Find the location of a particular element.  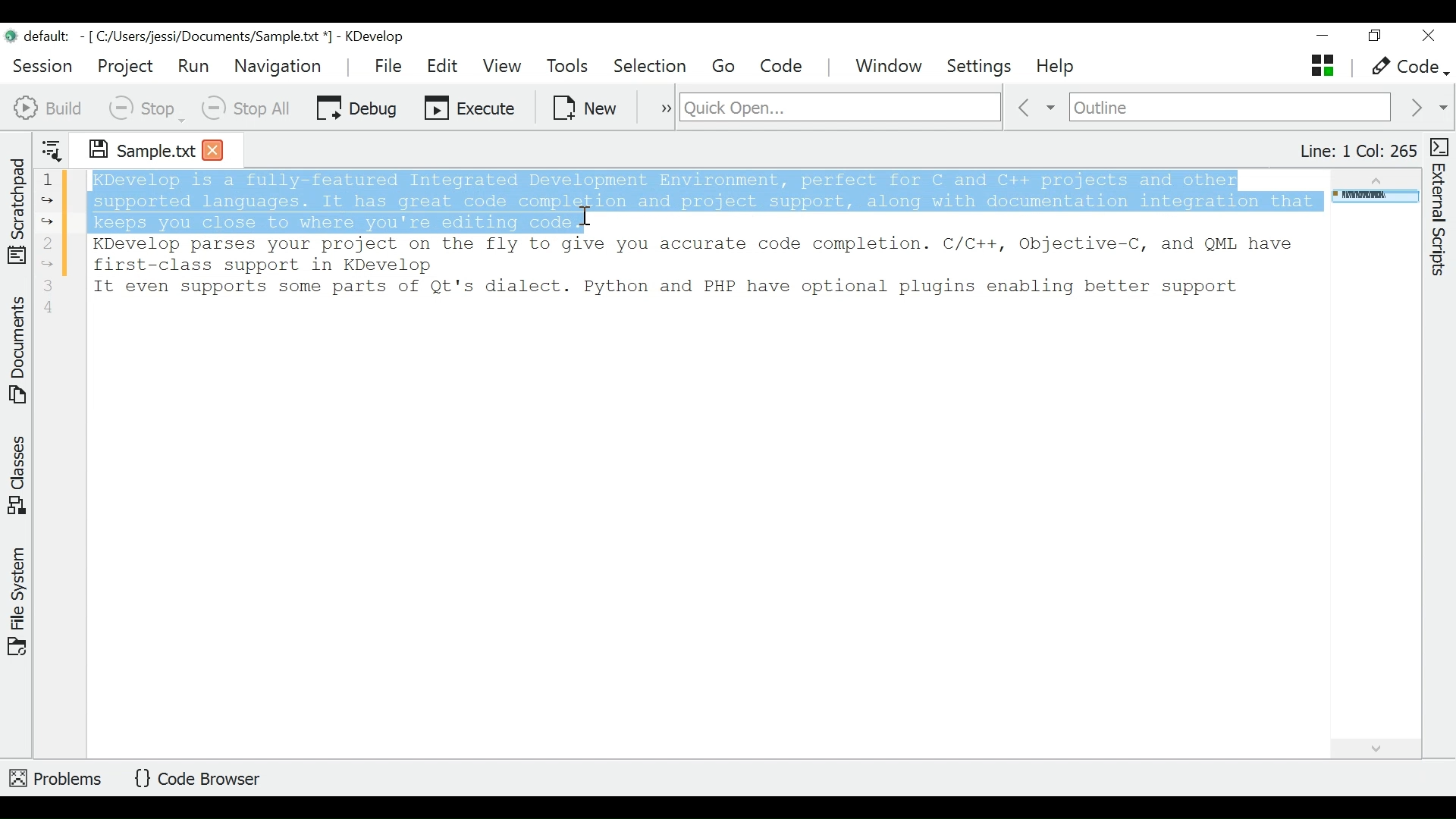

Sample.txt is located at coordinates (131, 147).